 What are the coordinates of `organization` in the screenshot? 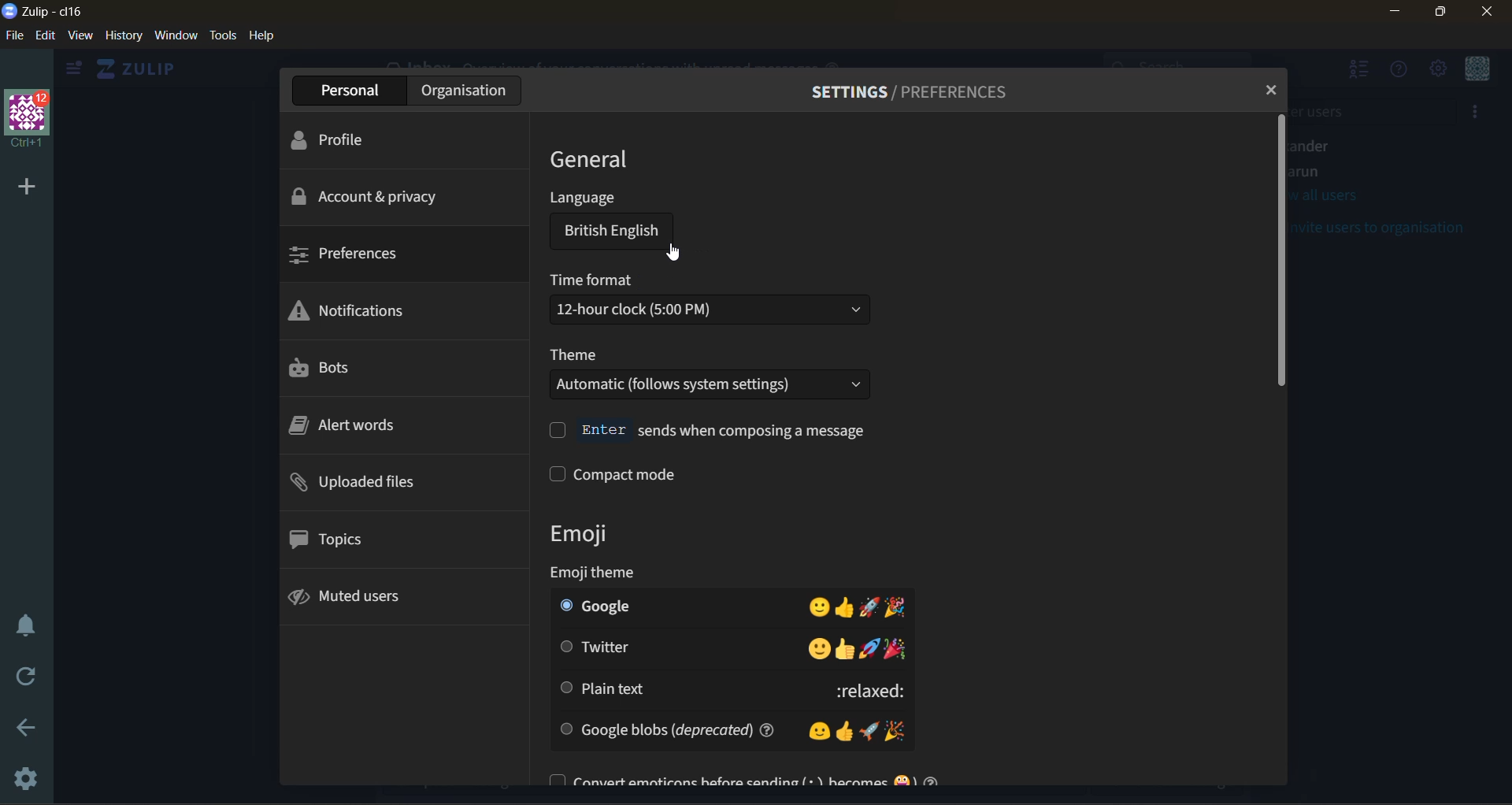 It's located at (468, 89).